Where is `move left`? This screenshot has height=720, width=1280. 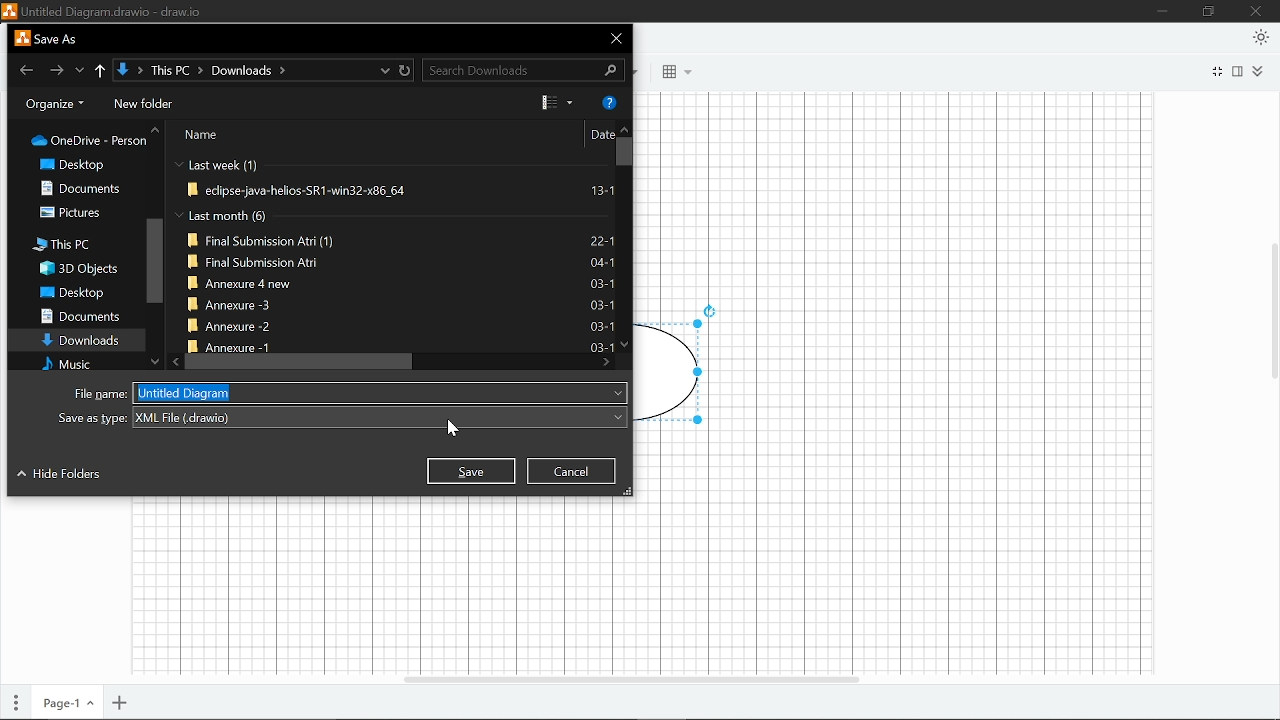
move left is located at coordinates (176, 361).